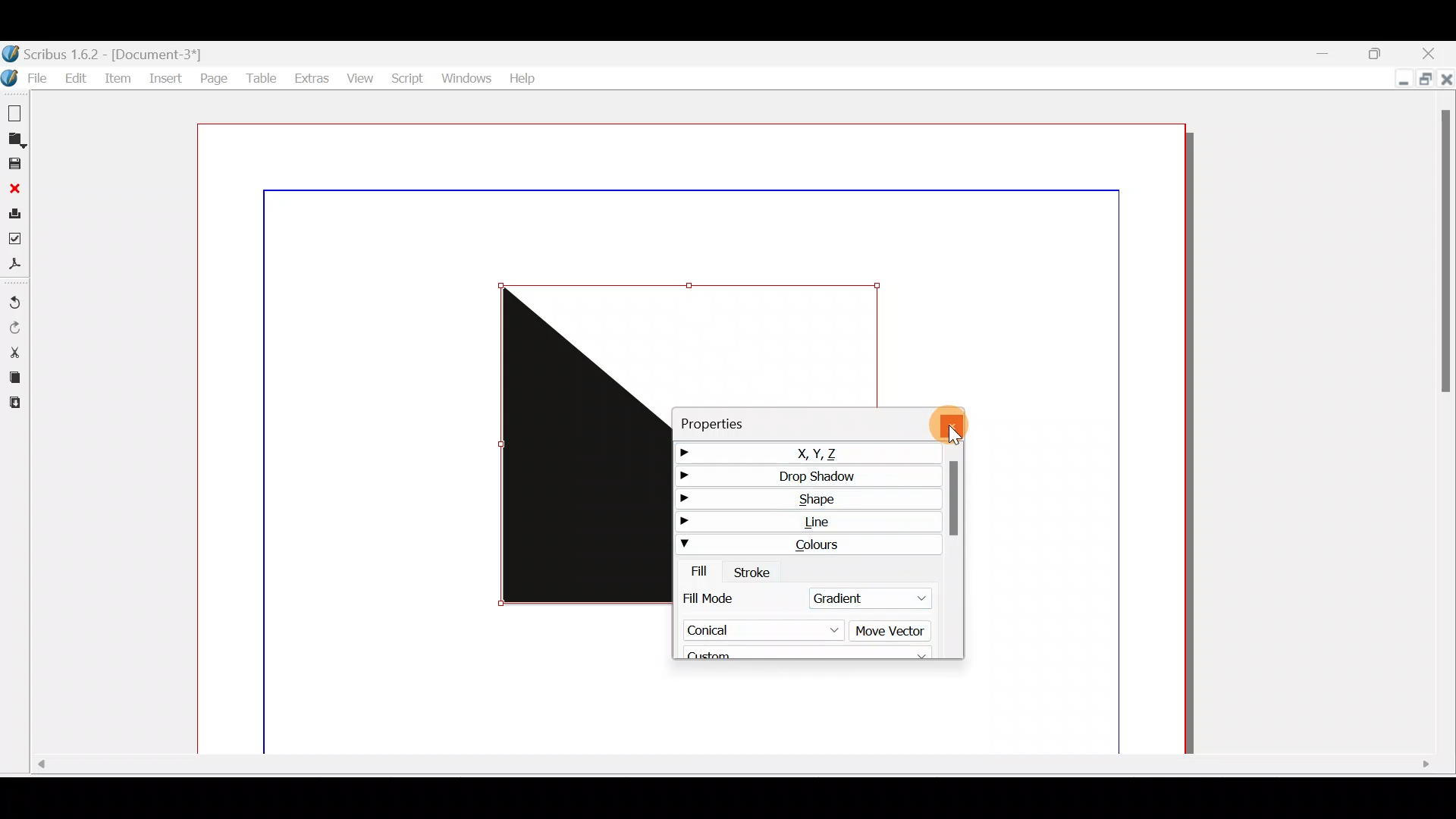 This screenshot has height=819, width=1456. I want to click on Gradient, so click(863, 595).